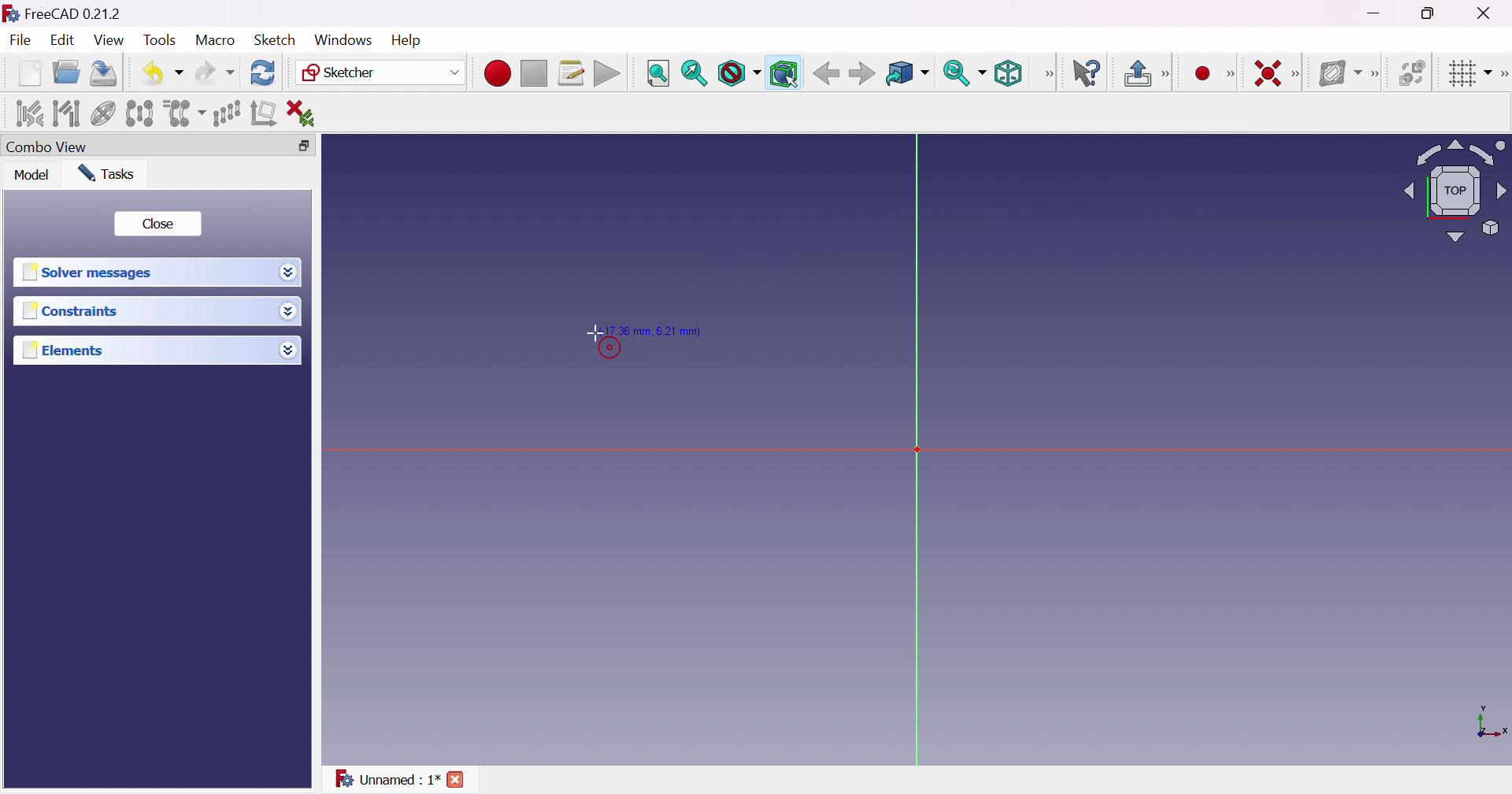 The width and height of the screenshot is (1512, 794). I want to click on [Sketcher edit model], so click(1168, 72).